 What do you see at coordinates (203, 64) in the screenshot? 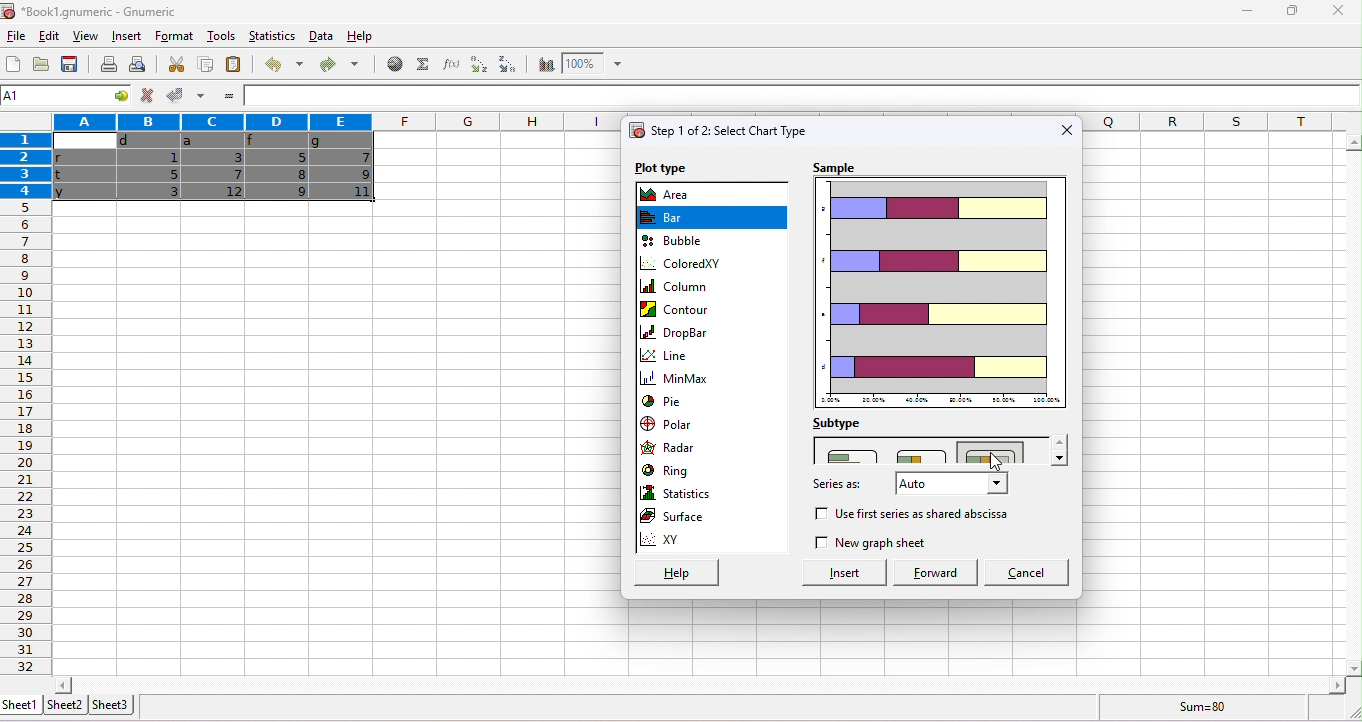
I see `copy` at bounding box center [203, 64].